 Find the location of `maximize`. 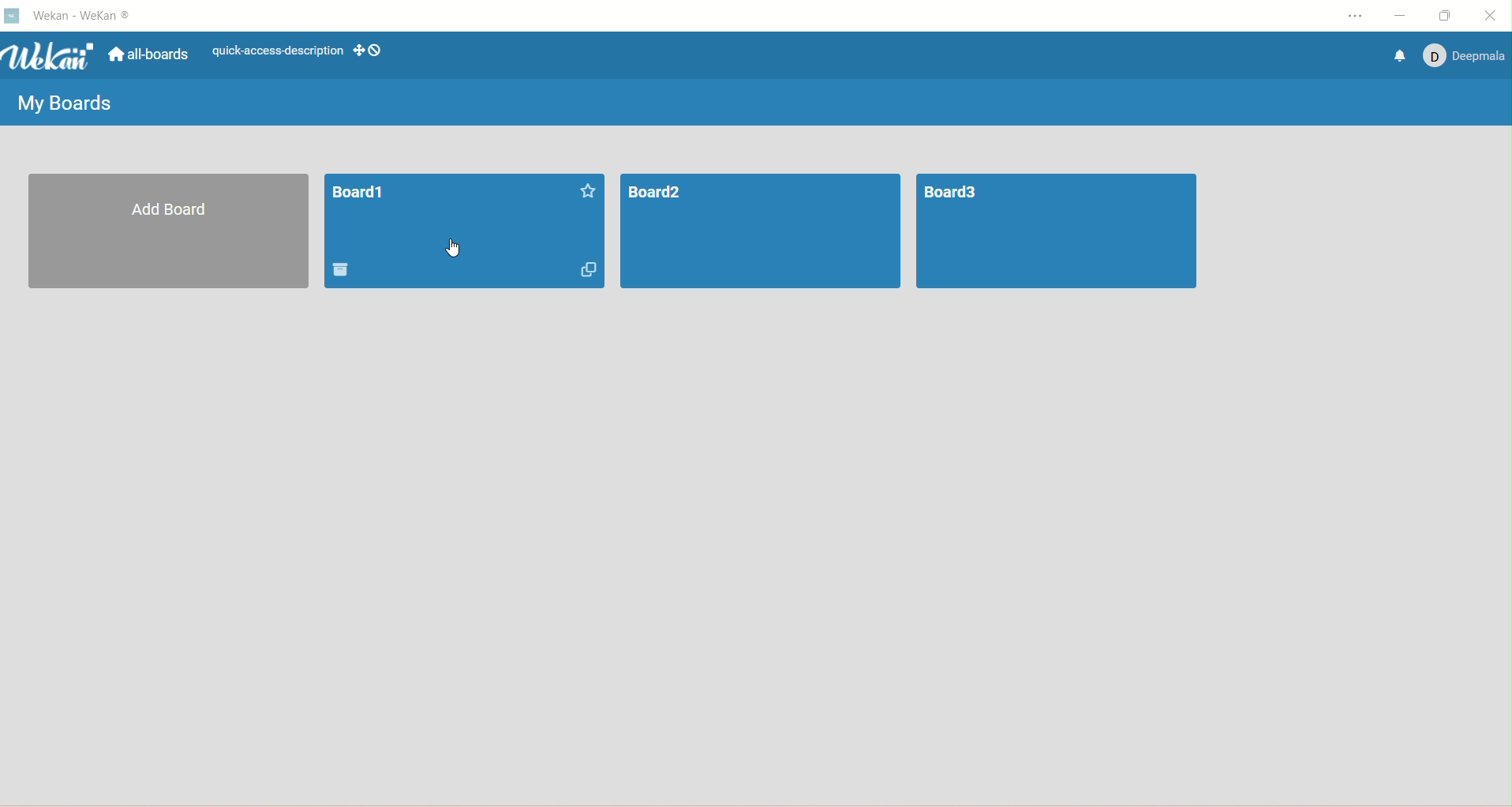

maximize is located at coordinates (1450, 14).